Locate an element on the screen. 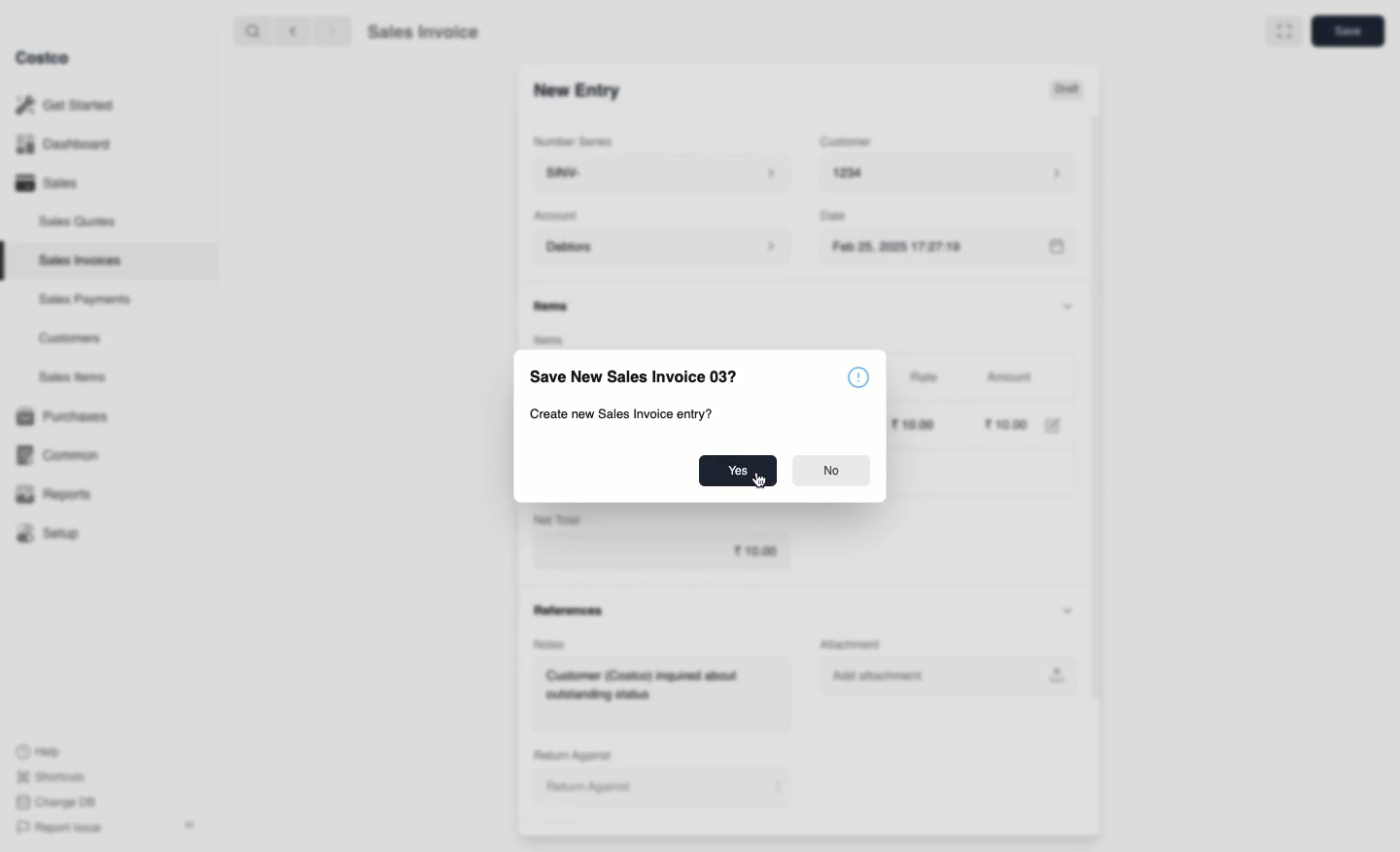  Customers is located at coordinates (68, 337).